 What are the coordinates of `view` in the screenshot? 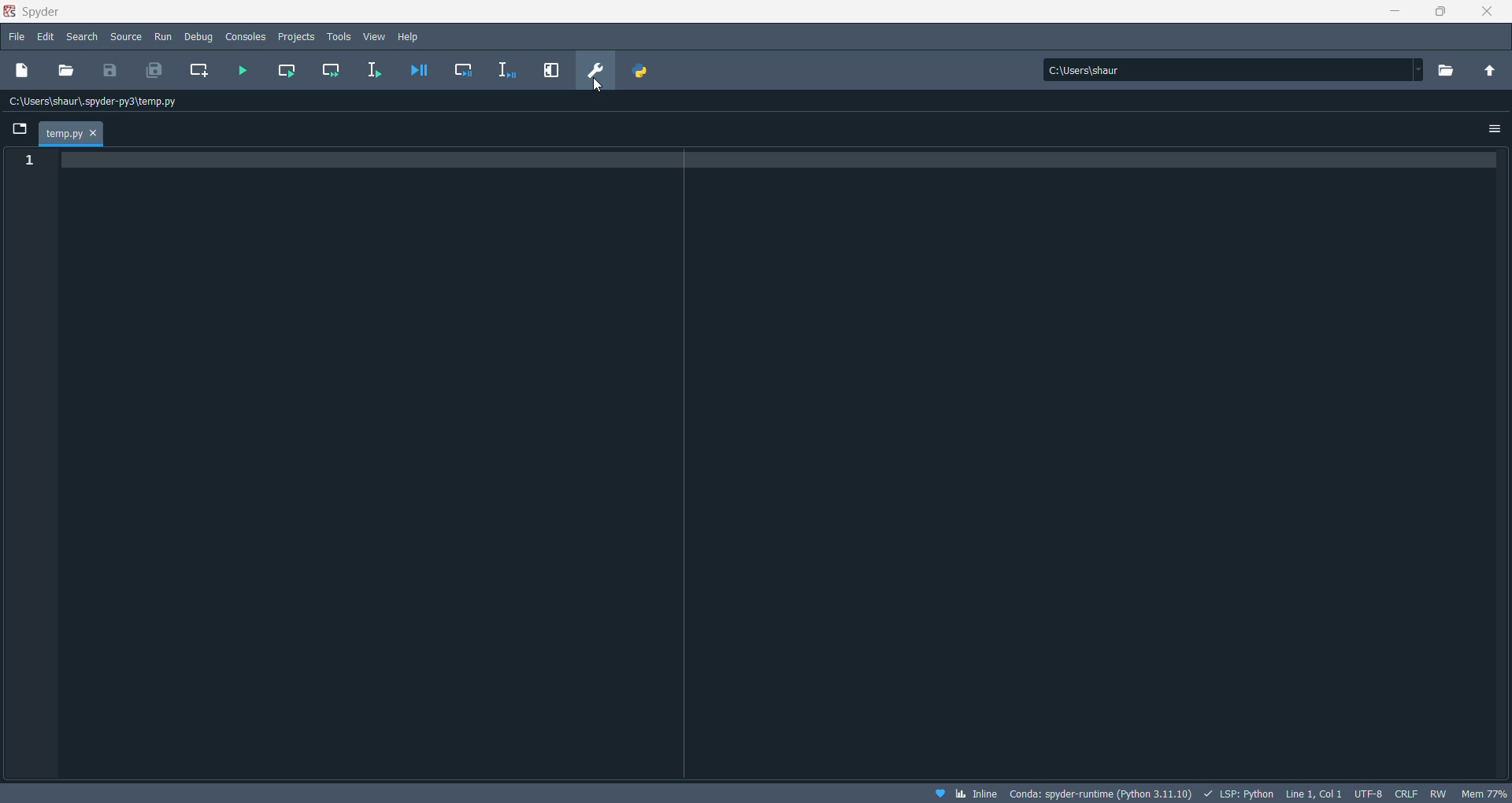 It's located at (376, 38).